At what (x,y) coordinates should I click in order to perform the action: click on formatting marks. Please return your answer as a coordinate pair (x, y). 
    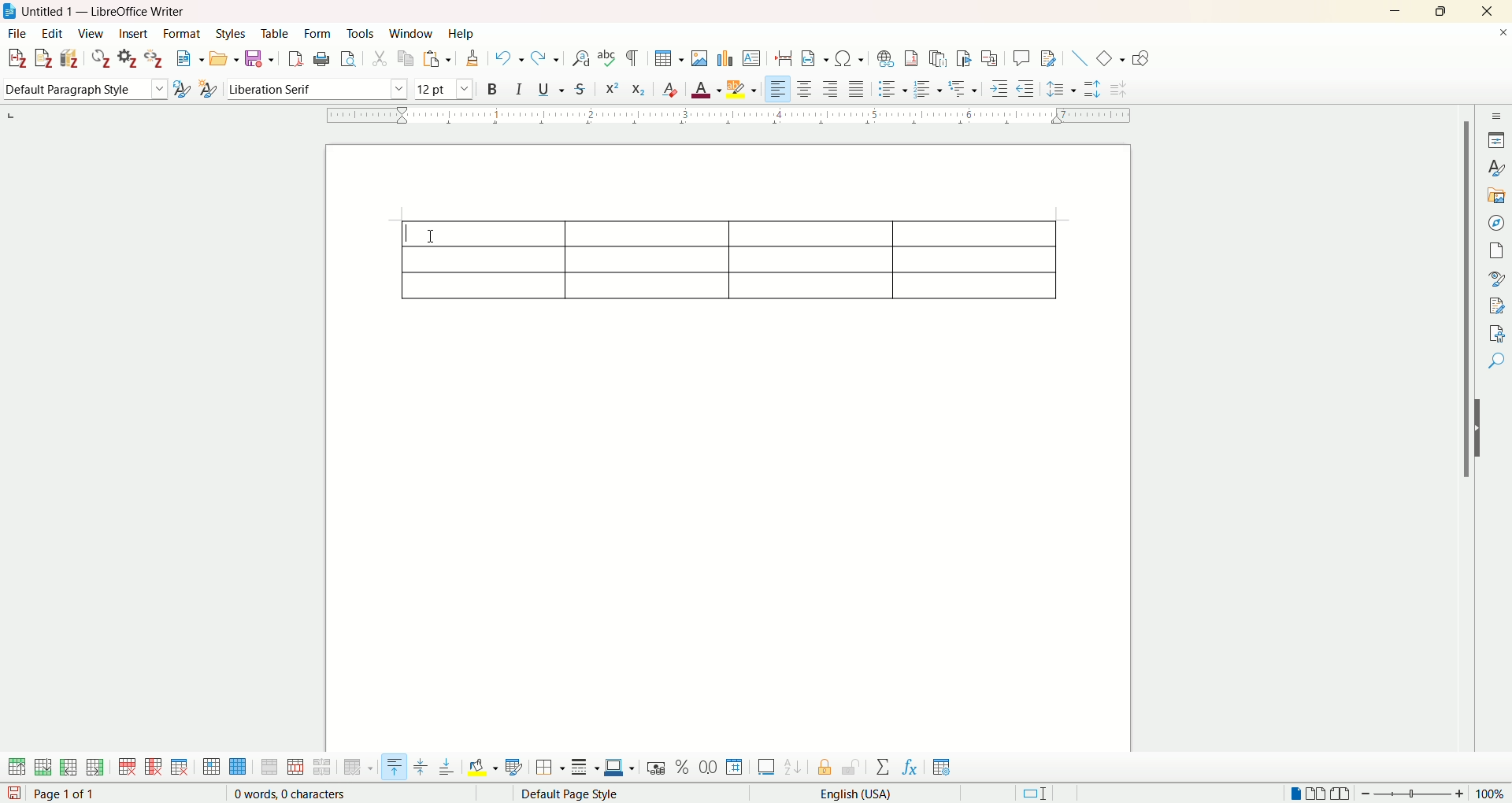
    Looking at the image, I should click on (636, 58).